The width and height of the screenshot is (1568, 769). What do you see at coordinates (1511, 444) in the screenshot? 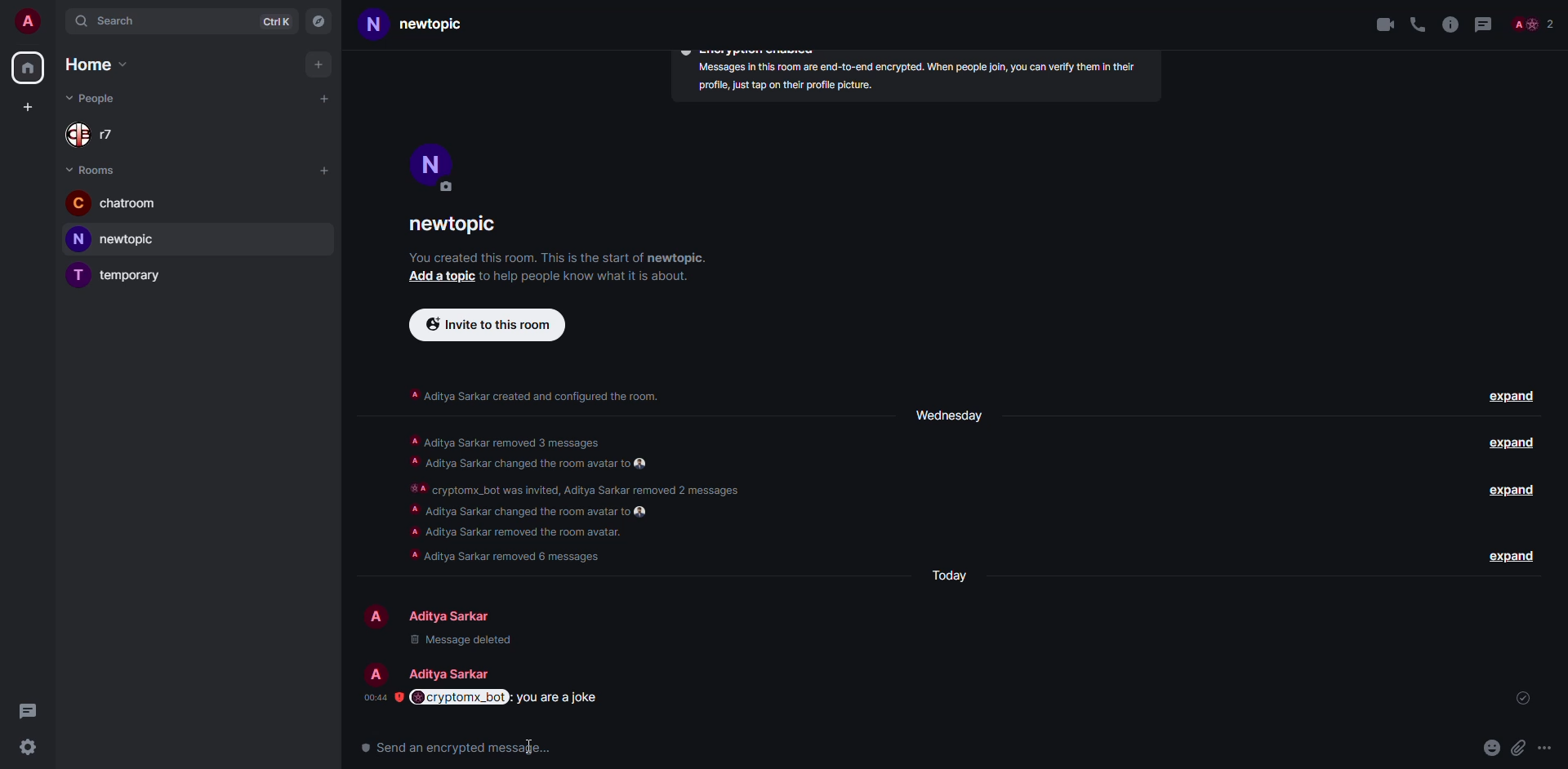
I see `expand` at bounding box center [1511, 444].